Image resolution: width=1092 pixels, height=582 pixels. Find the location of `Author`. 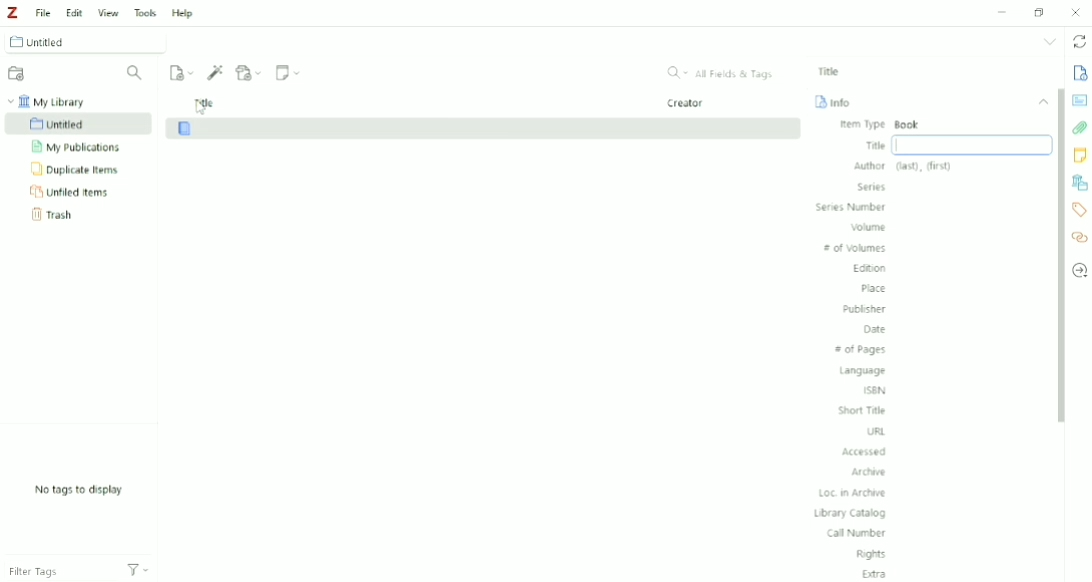

Author is located at coordinates (902, 166).